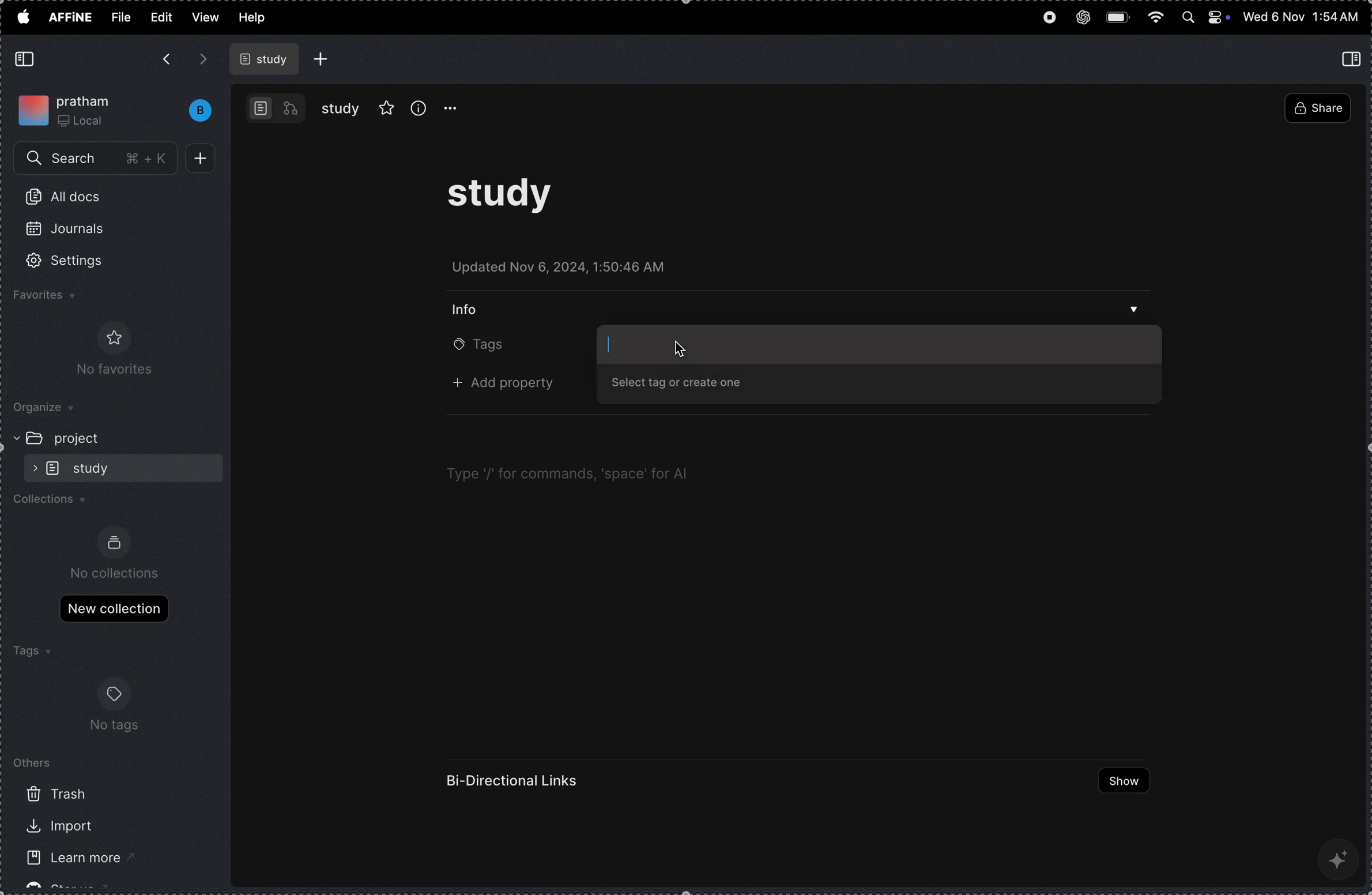 The width and height of the screenshot is (1372, 895). I want to click on info, so click(419, 107).